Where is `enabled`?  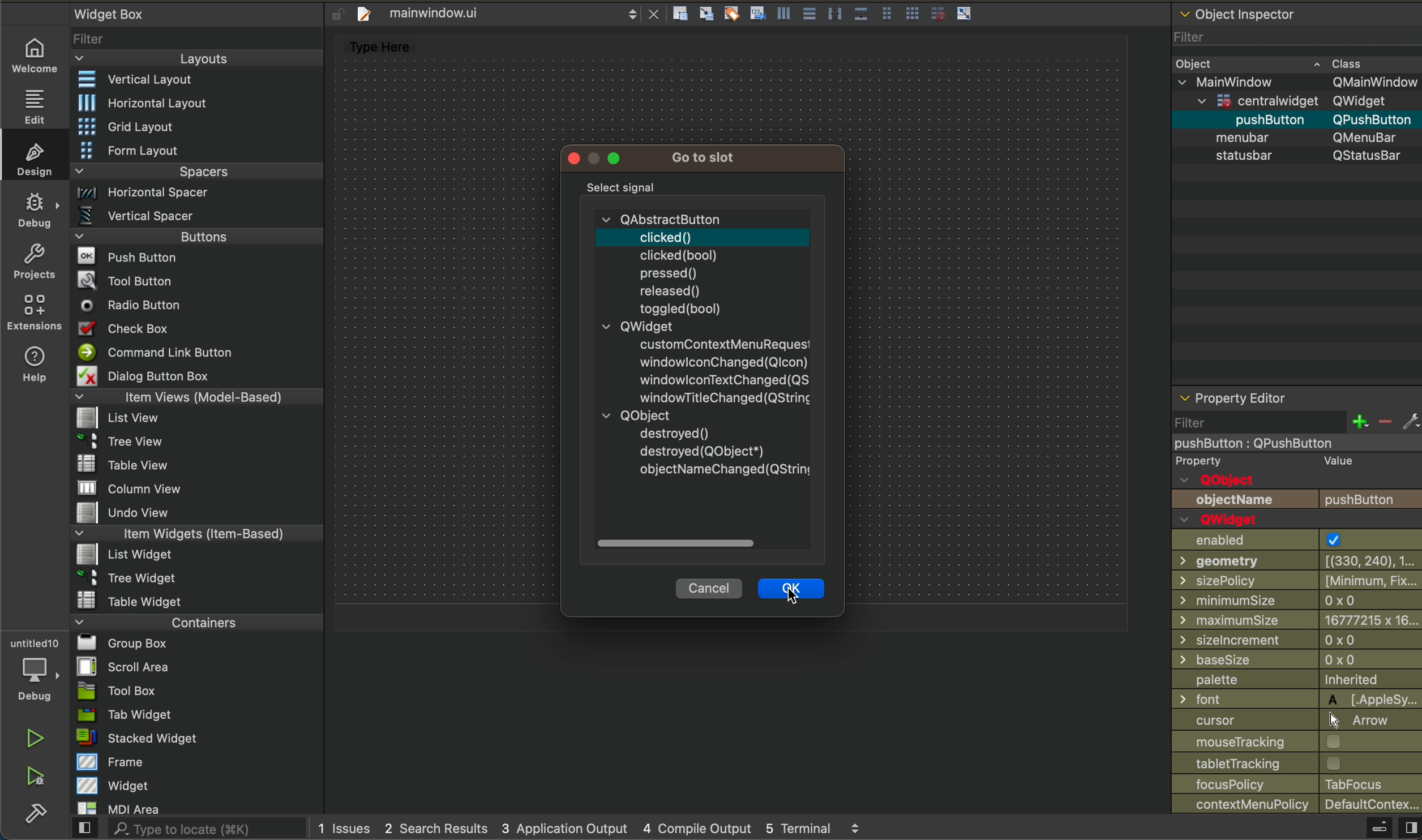
enabled is located at coordinates (1295, 540).